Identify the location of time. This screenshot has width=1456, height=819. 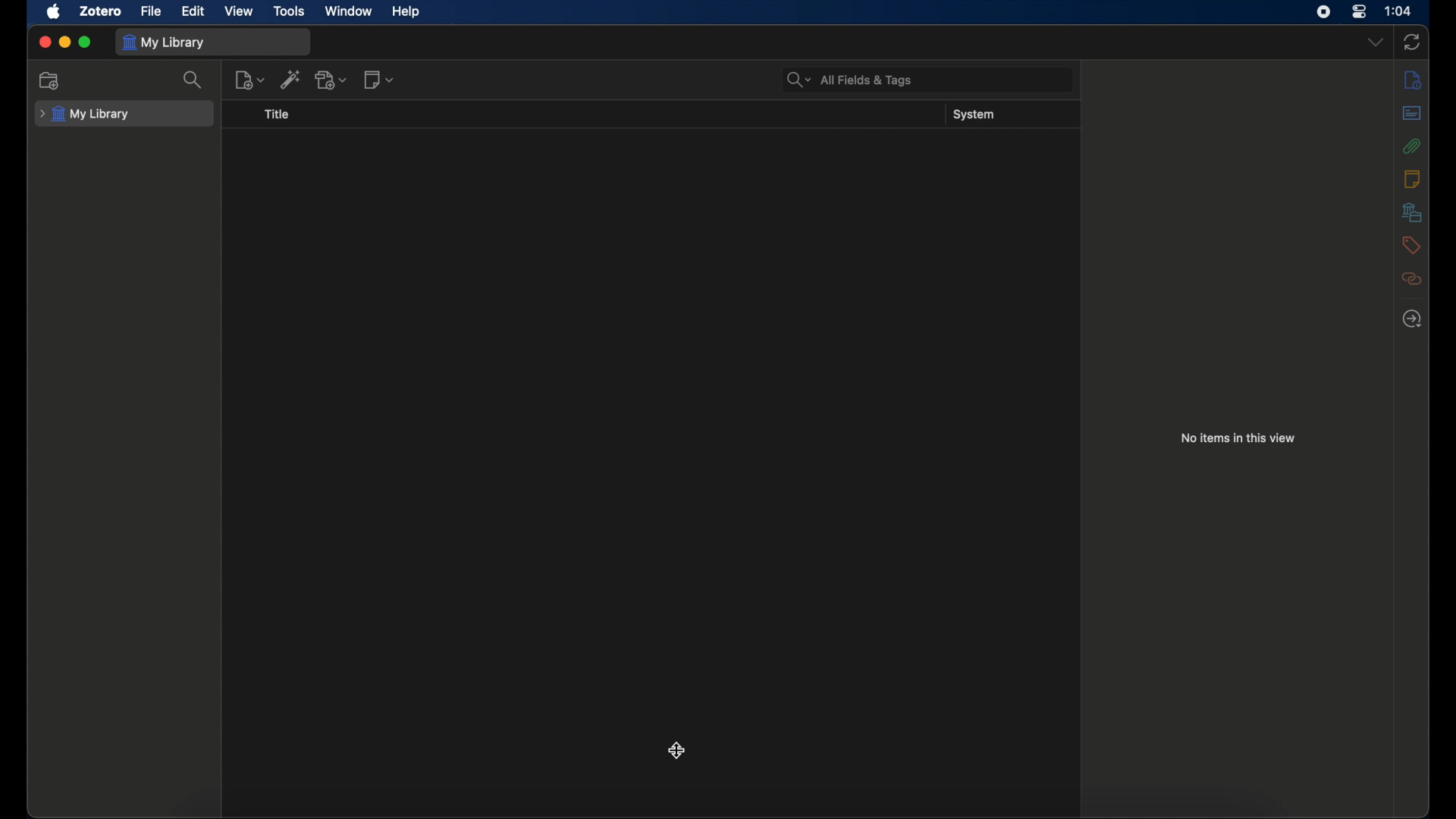
(1398, 10).